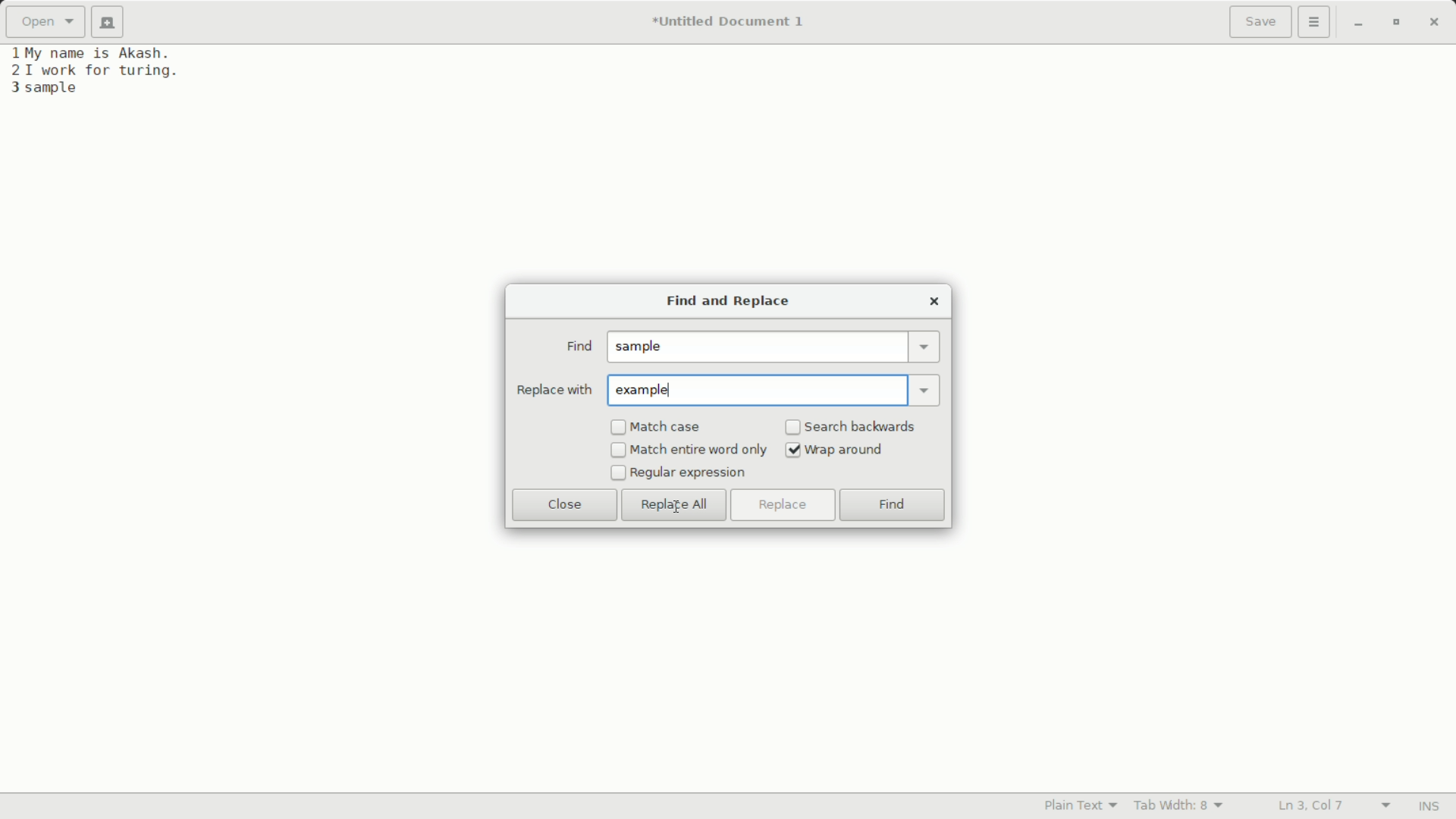 This screenshot has height=819, width=1456. I want to click on close app, so click(1434, 22).